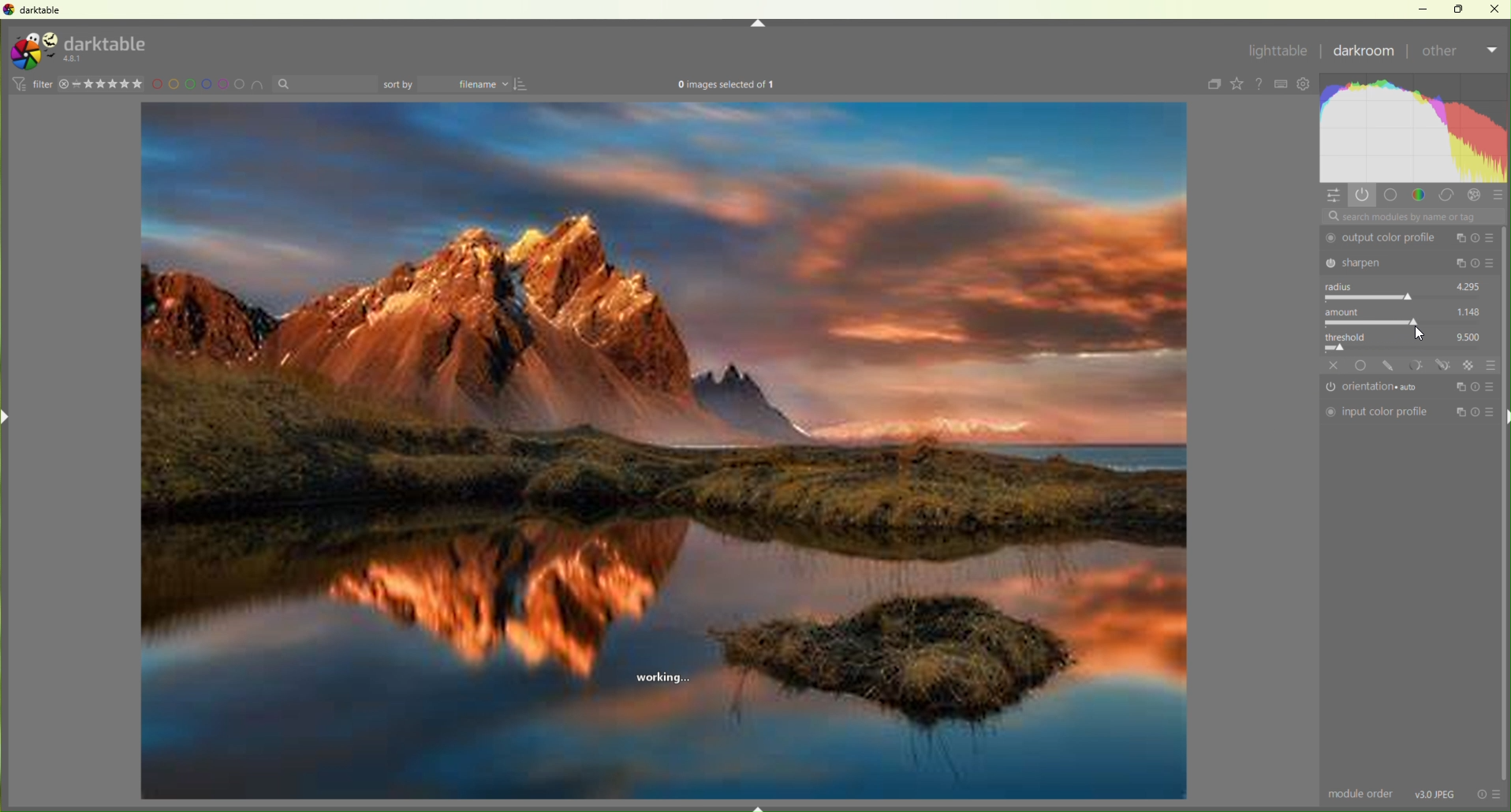 Image resolution: width=1511 pixels, height=812 pixels. Describe the element at coordinates (1489, 794) in the screenshot. I see `actions` at that location.